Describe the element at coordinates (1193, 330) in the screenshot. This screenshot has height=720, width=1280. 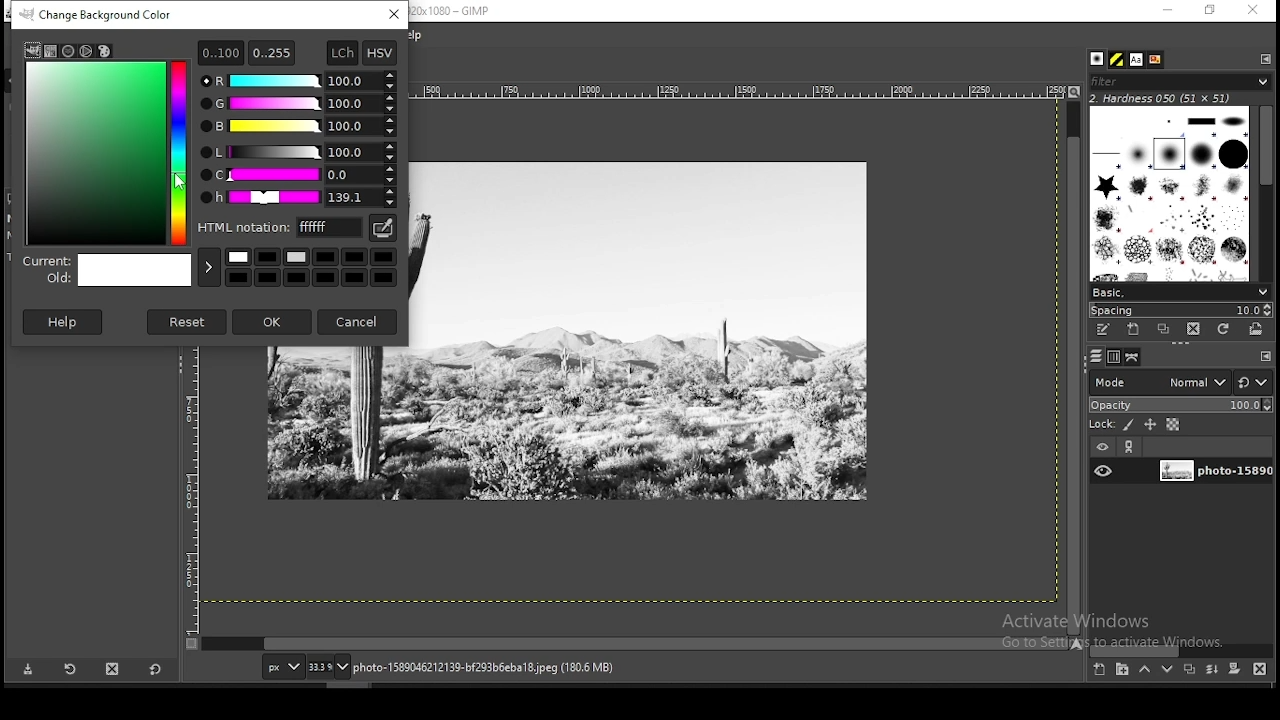
I see `delete brush` at that location.